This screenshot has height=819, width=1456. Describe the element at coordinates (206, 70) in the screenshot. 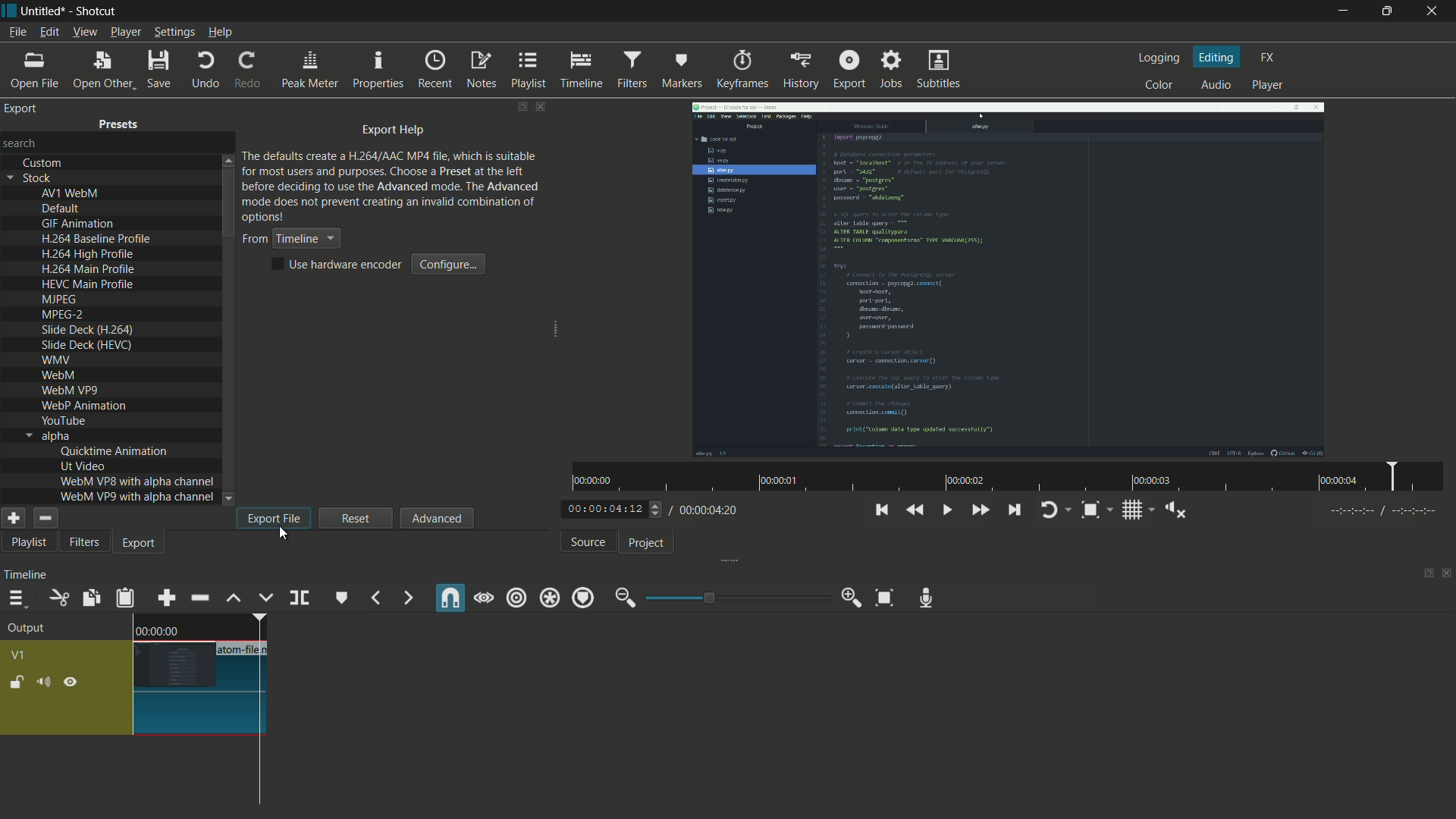

I see `undo` at that location.